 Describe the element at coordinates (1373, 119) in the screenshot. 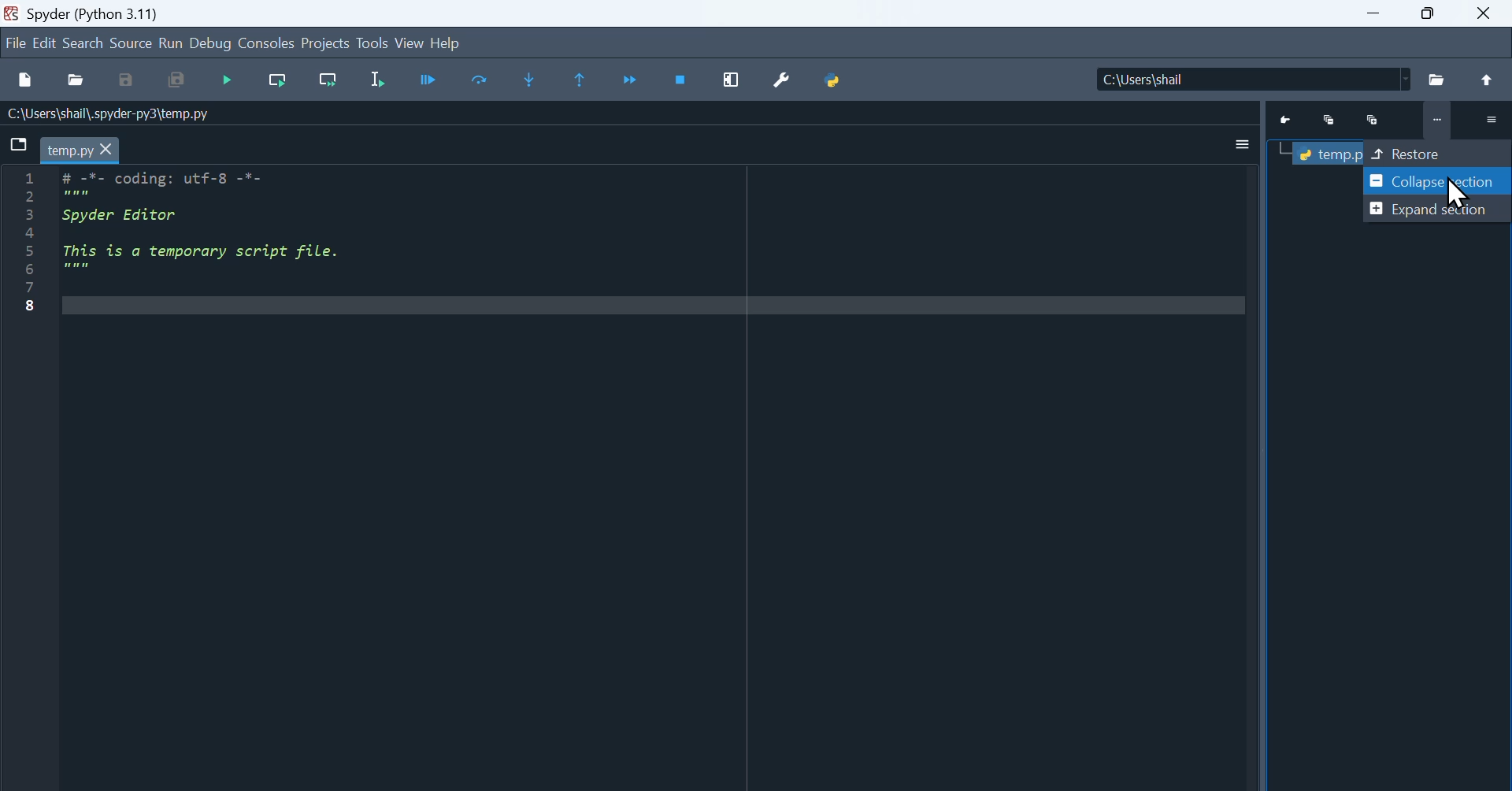

I see `Maximize` at that location.